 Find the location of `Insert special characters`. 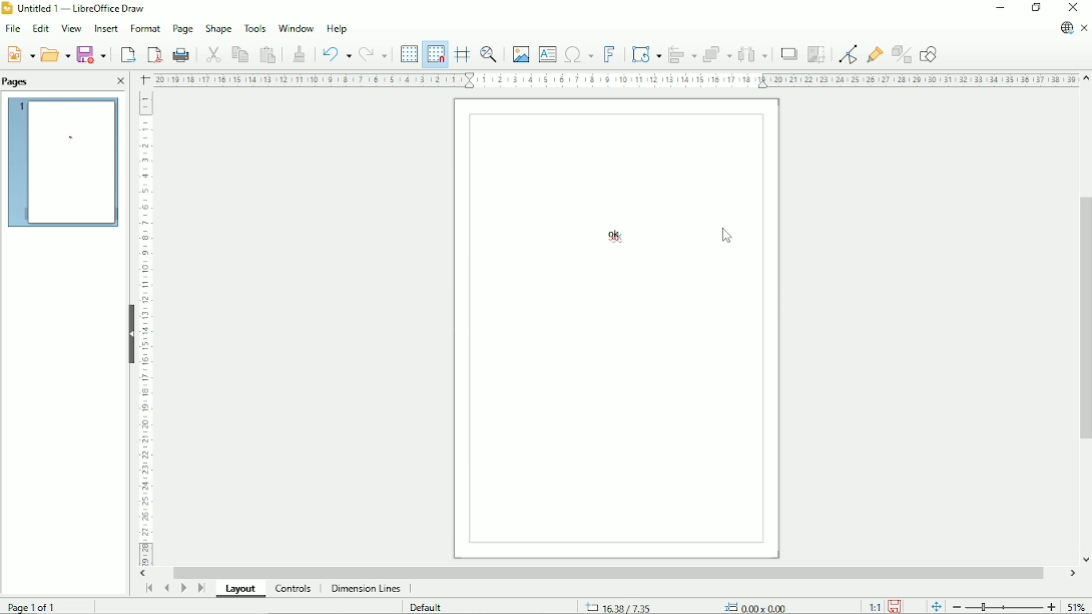

Insert special characters is located at coordinates (578, 53).